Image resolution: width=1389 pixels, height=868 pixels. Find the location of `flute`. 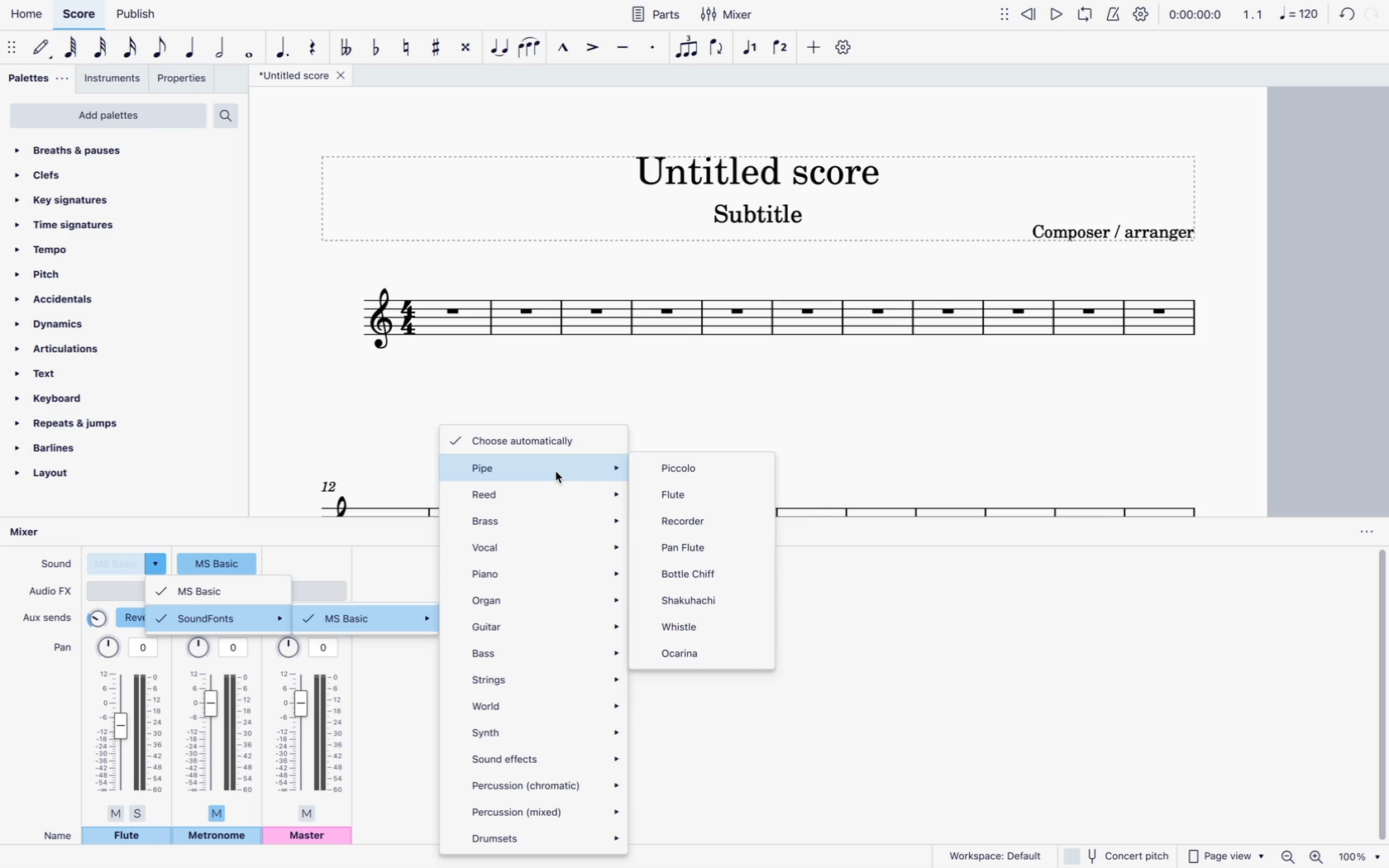

flute is located at coordinates (126, 836).